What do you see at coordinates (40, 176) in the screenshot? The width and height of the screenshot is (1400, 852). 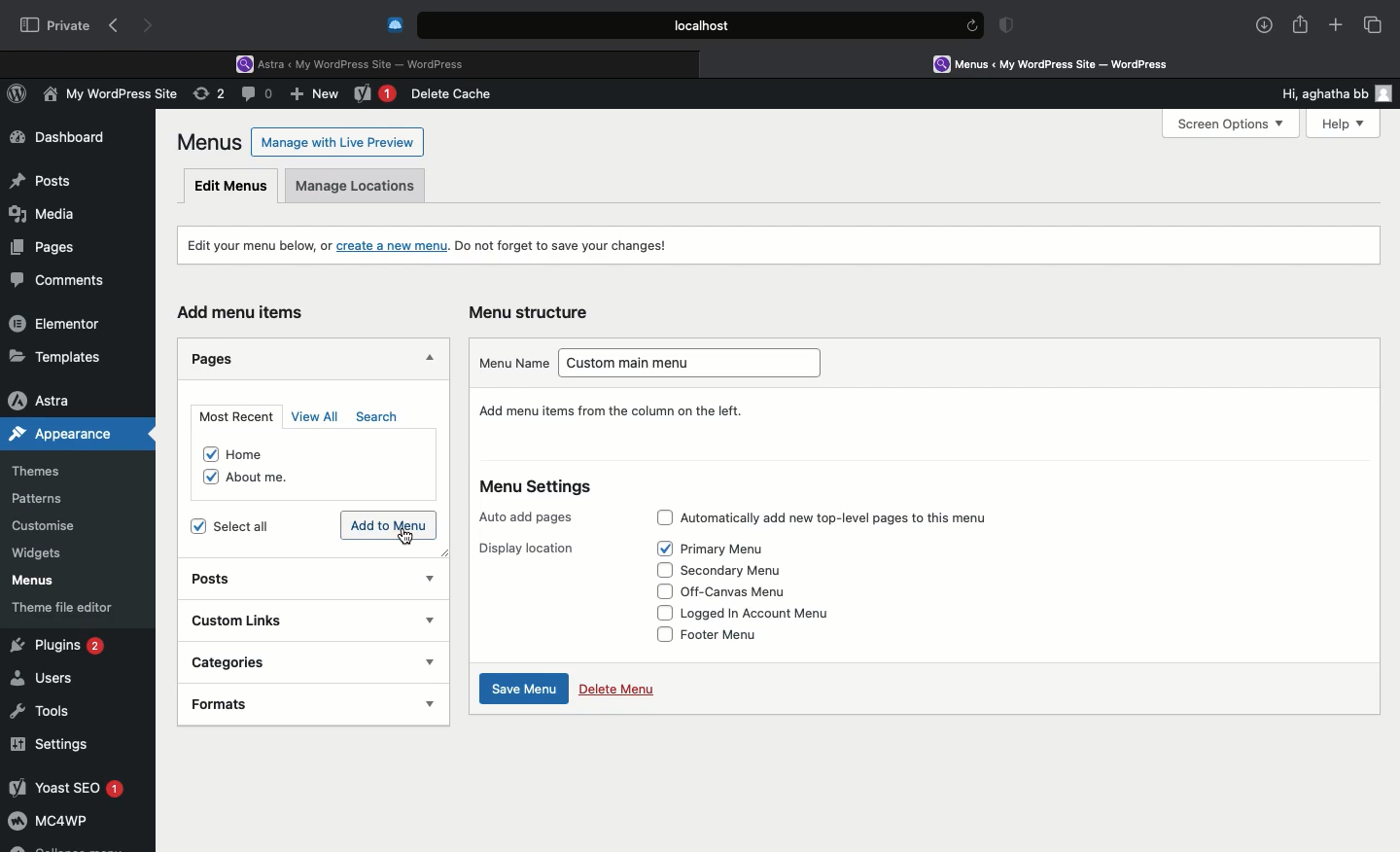 I see `Posts` at bounding box center [40, 176].